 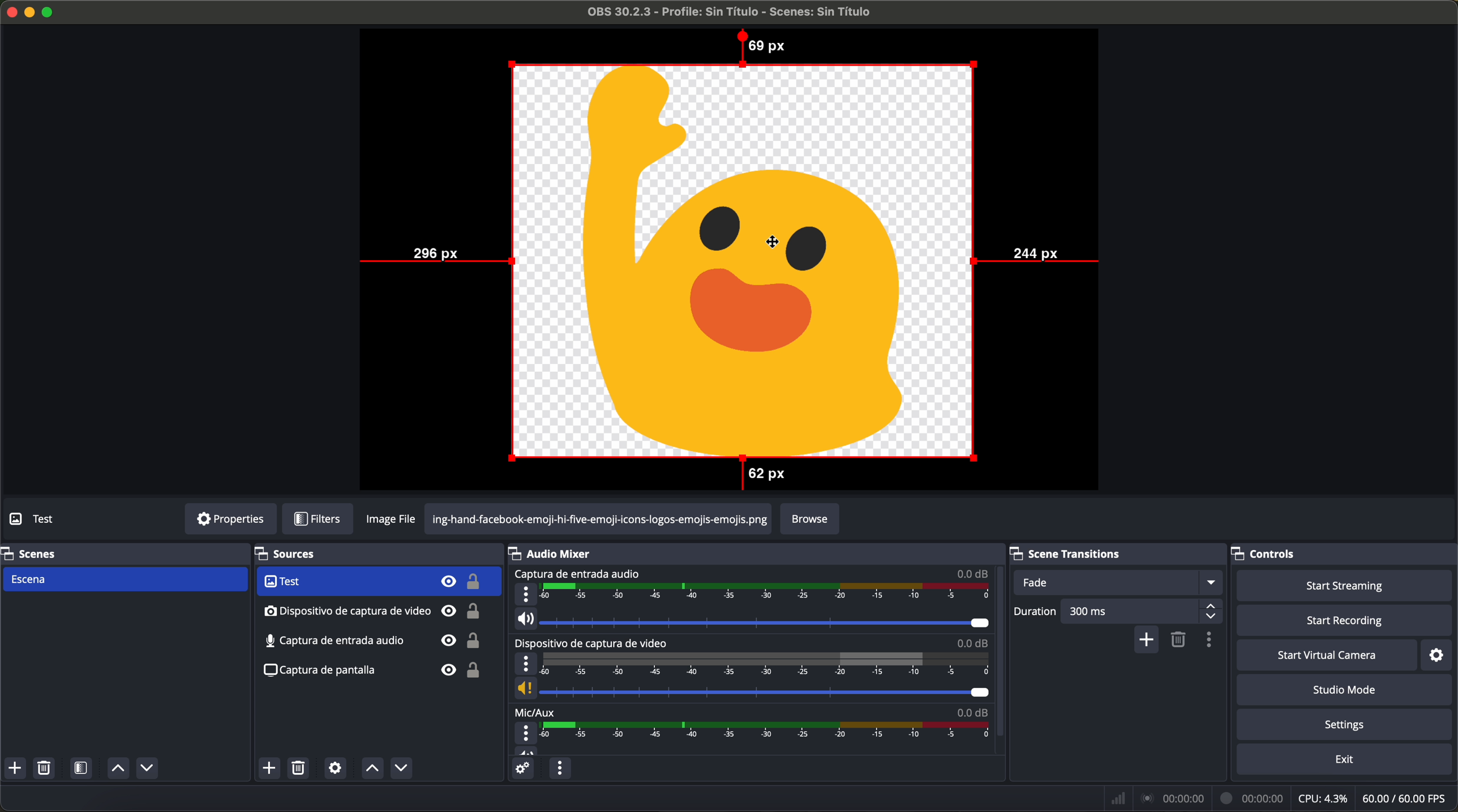 What do you see at coordinates (50, 11) in the screenshot?
I see `maximize program` at bounding box center [50, 11].